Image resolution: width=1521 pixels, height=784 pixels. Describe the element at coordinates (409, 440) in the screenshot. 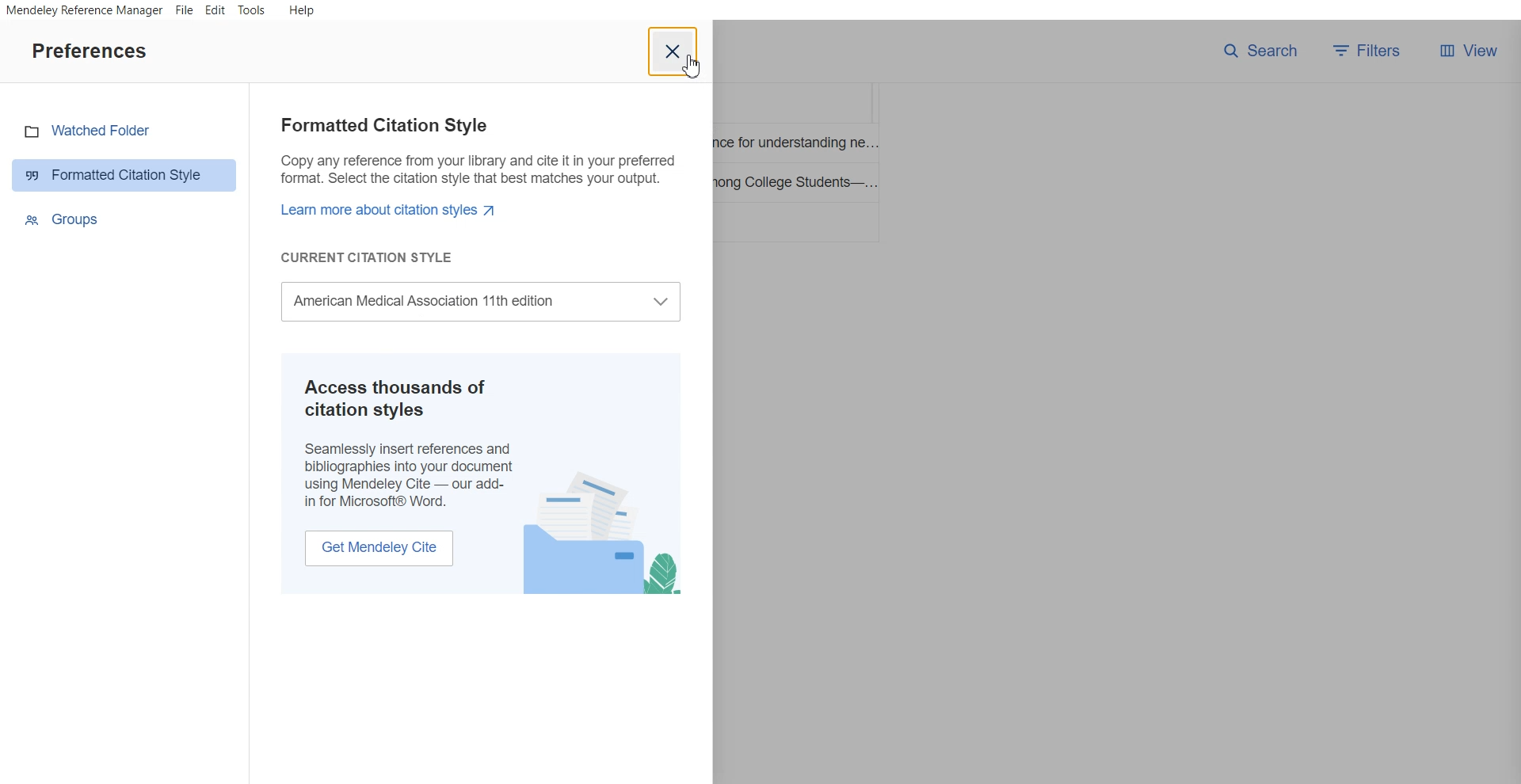

I see `Access thousands of citation styles` at that location.